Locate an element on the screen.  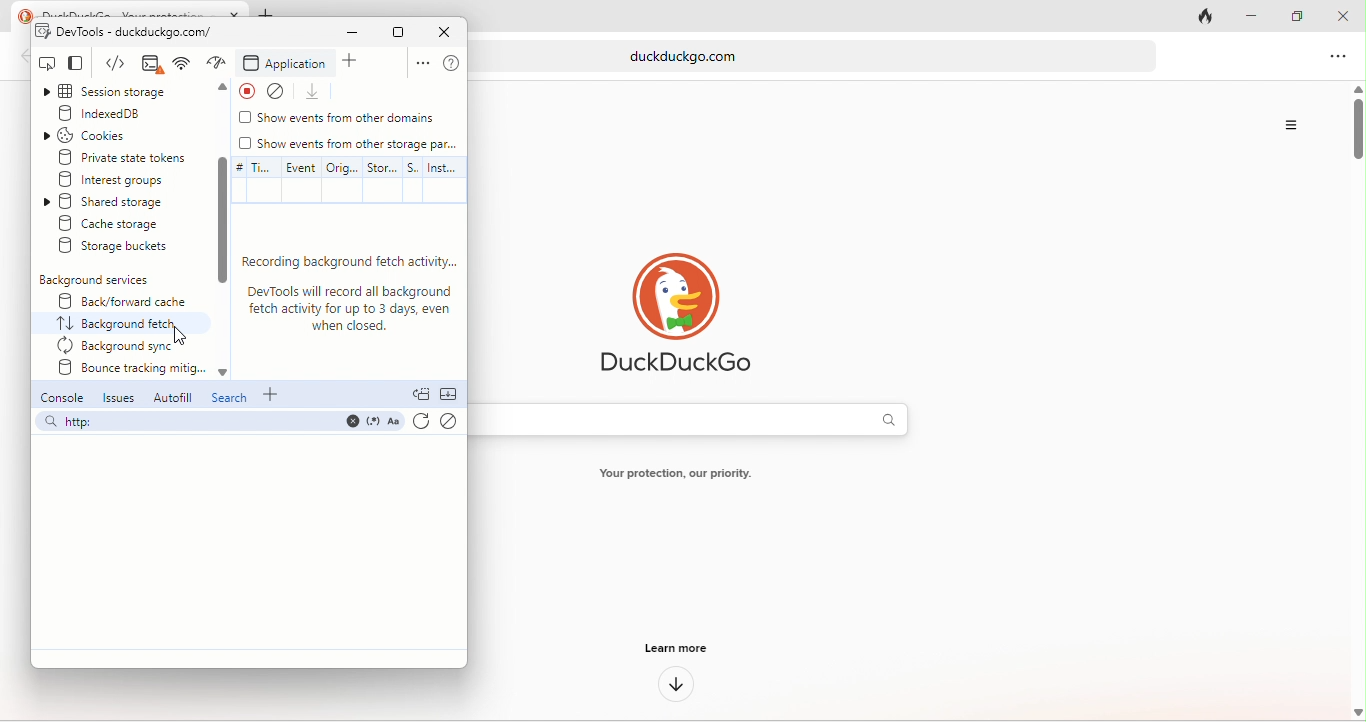
change view is located at coordinates (84, 65).